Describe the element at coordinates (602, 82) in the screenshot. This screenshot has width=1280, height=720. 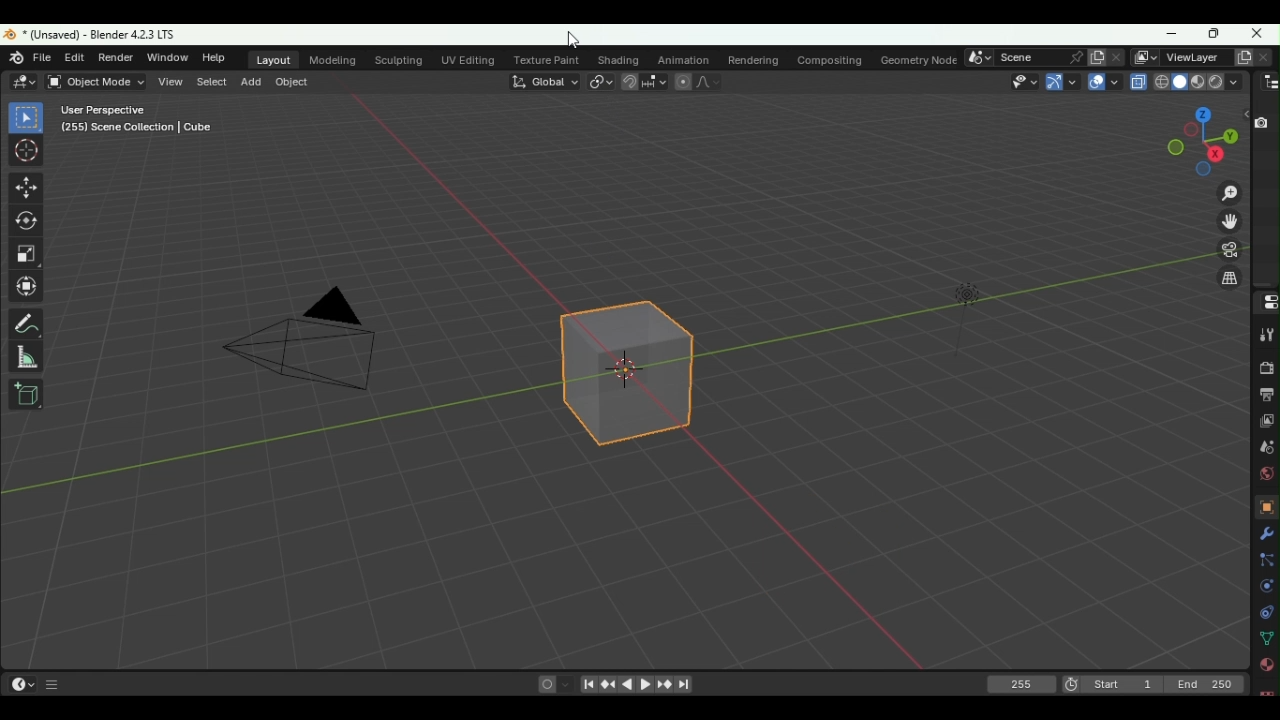
I see `Transformation pivot point` at that location.